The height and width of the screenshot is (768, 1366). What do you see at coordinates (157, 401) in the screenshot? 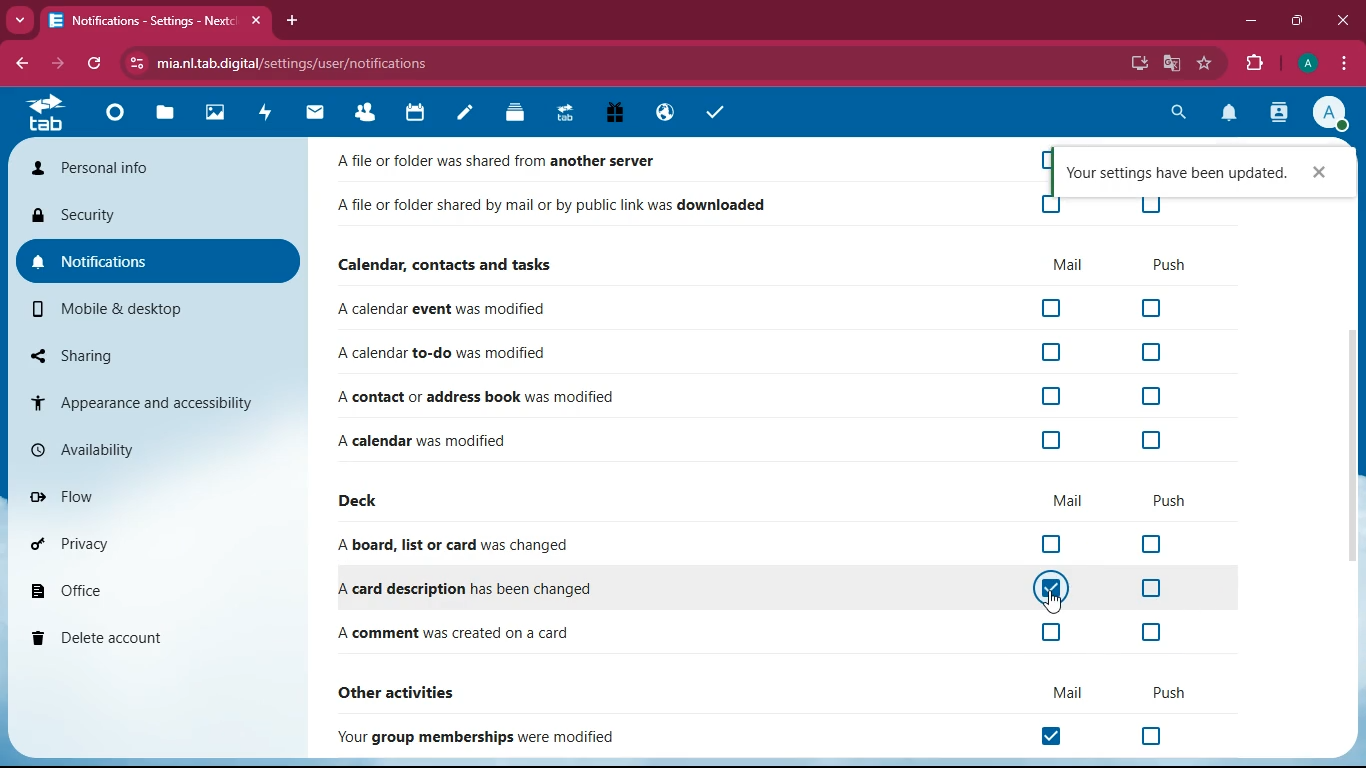
I see `appearance and accessibility` at bounding box center [157, 401].